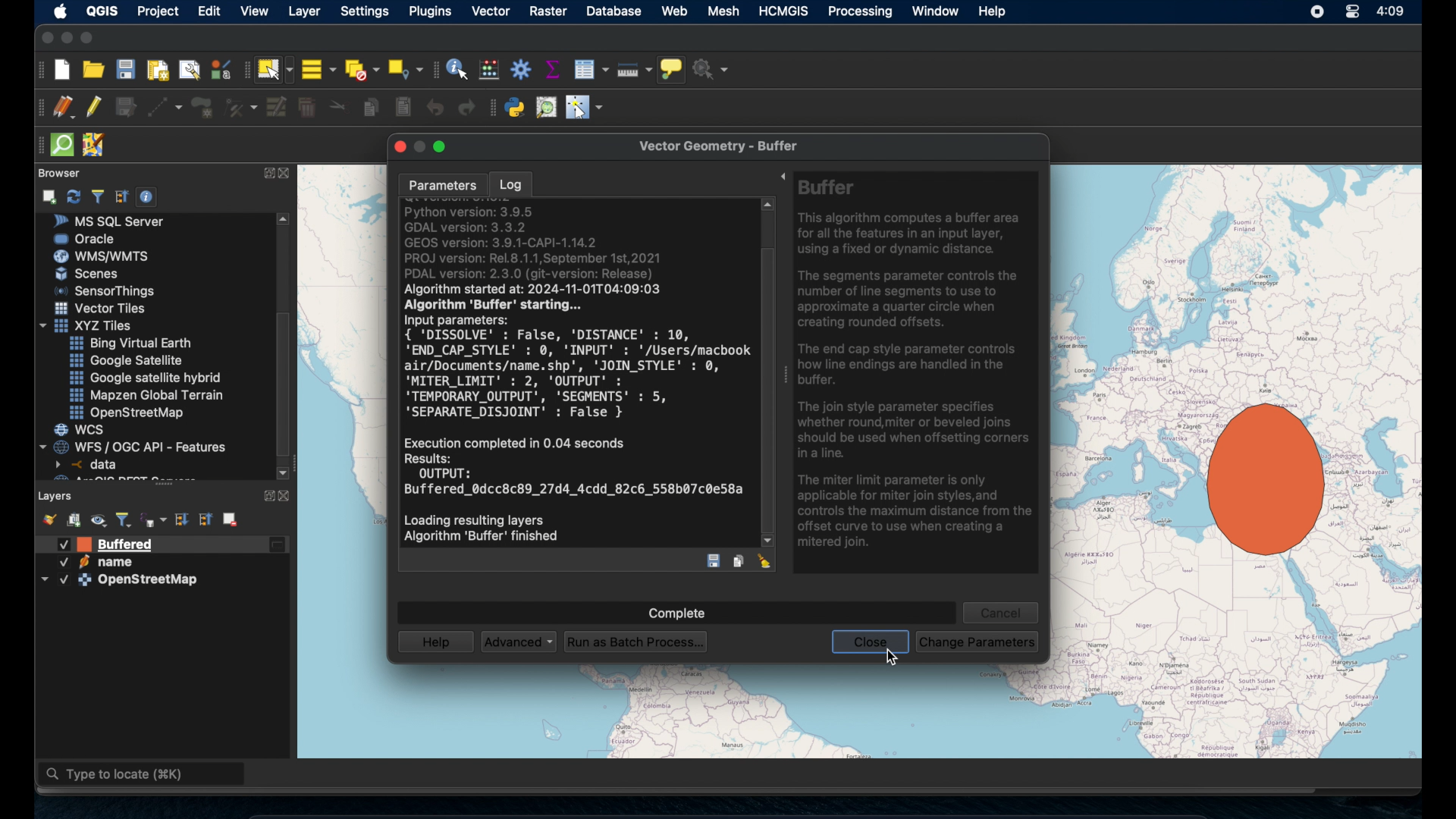  What do you see at coordinates (158, 72) in the screenshot?
I see `open print layout` at bounding box center [158, 72].